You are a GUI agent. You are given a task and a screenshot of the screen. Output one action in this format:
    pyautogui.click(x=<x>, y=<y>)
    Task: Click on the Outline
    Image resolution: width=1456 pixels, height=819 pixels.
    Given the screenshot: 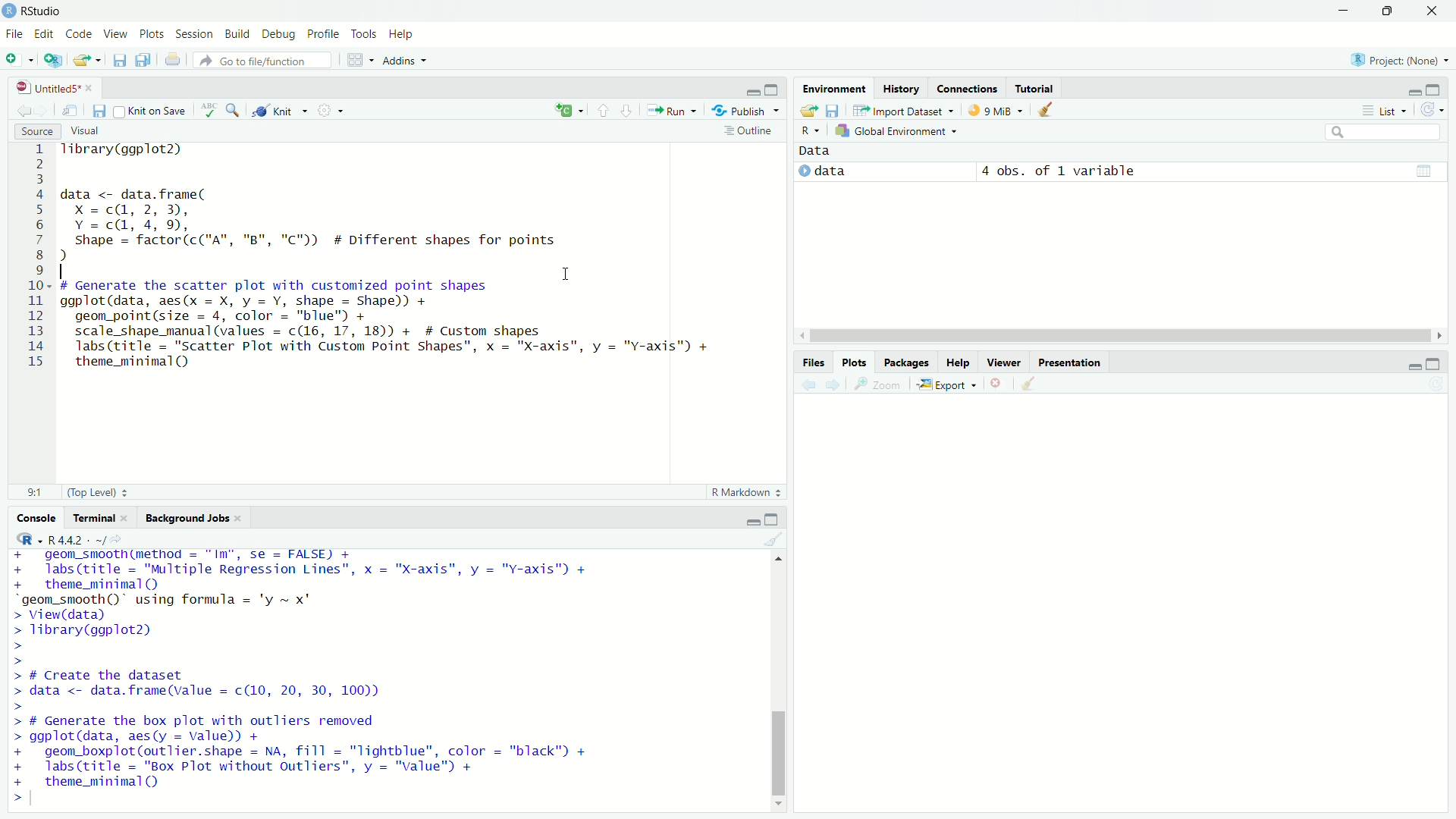 What is the action you would take?
    pyautogui.click(x=749, y=130)
    